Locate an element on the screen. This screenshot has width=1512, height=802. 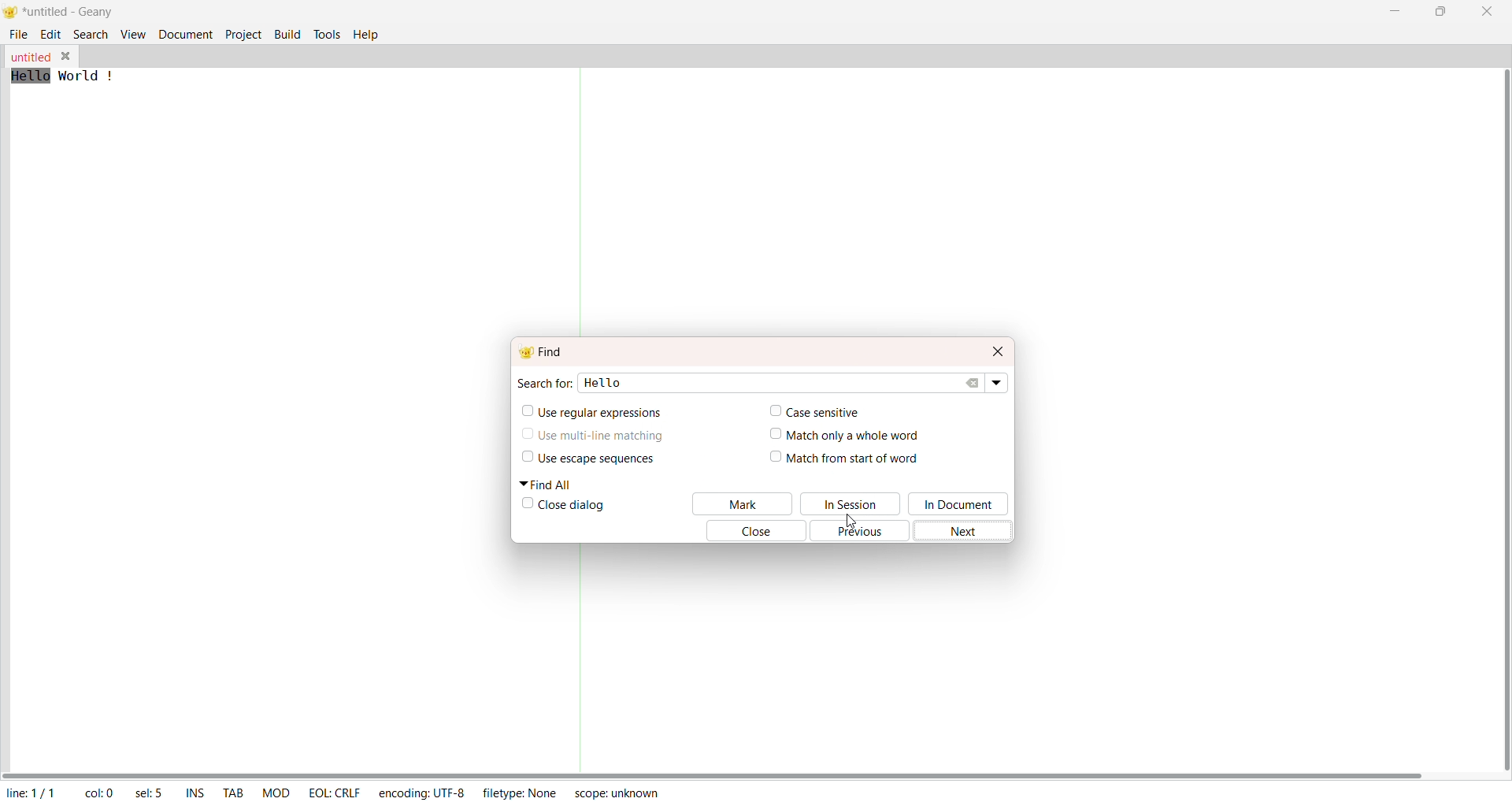
EOL: CRLF is located at coordinates (335, 791).